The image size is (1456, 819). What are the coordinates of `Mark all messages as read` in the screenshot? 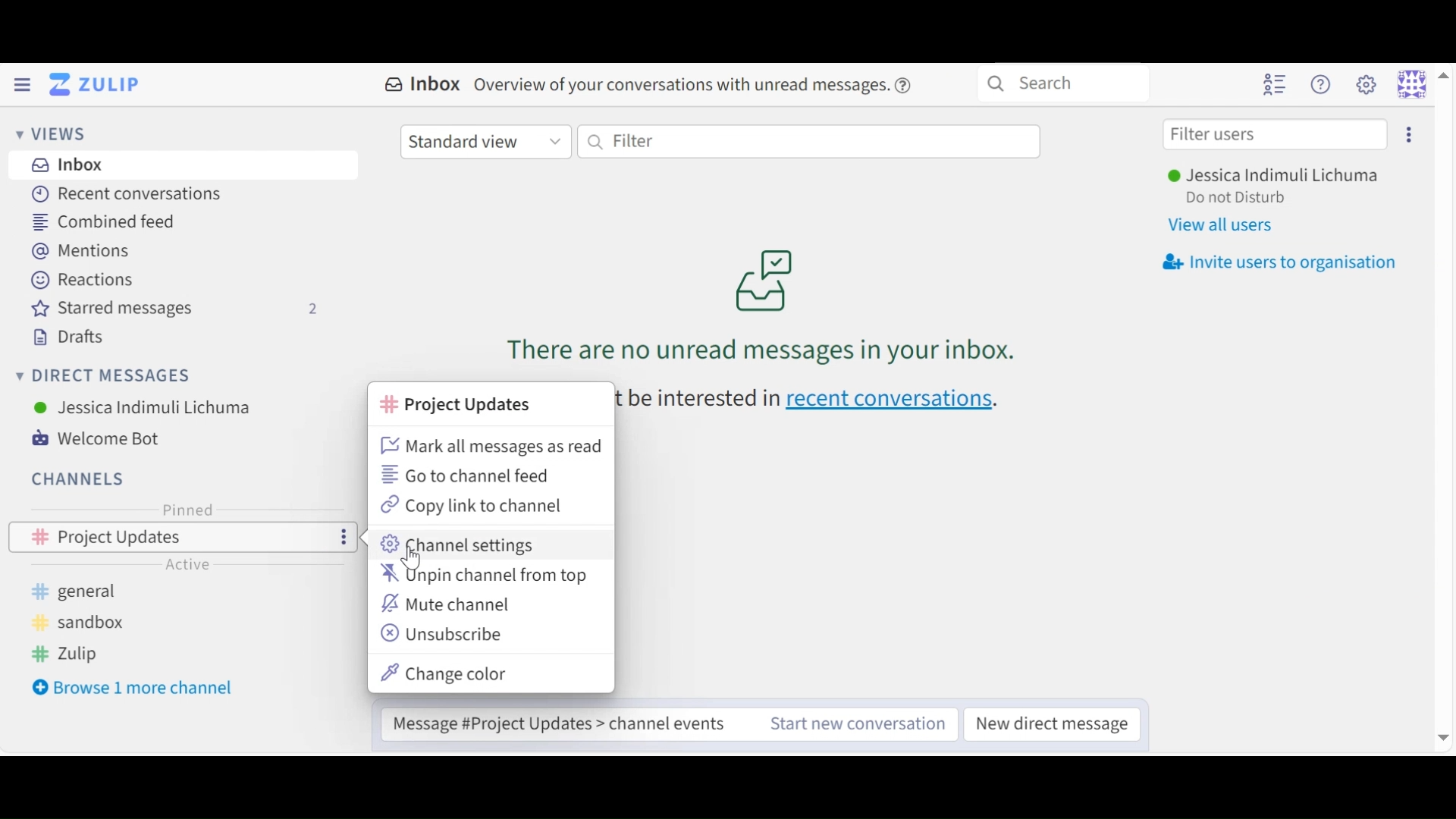 It's located at (490, 447).